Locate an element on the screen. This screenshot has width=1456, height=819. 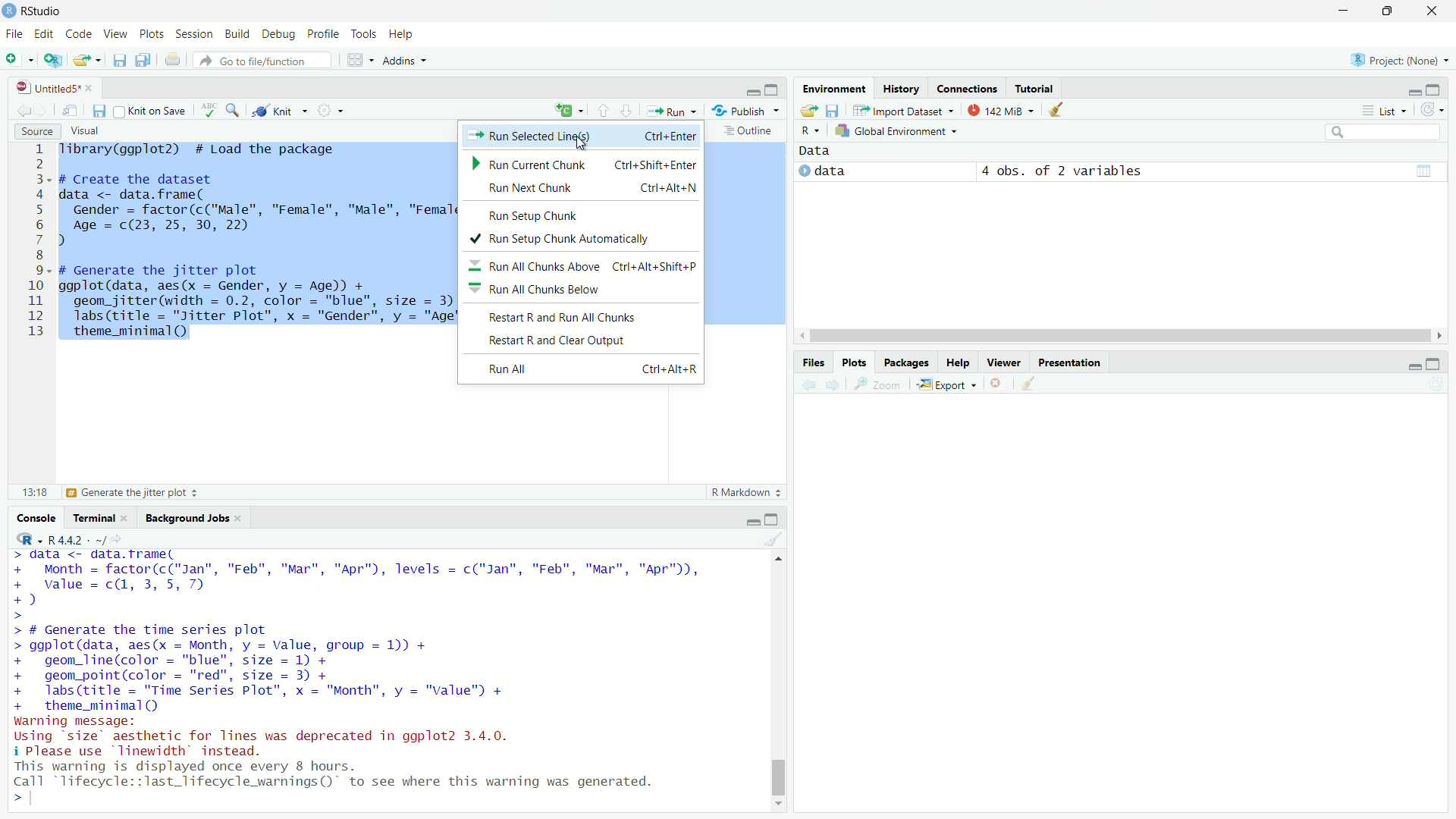
save all open documents is located at coordinates (145, 58).